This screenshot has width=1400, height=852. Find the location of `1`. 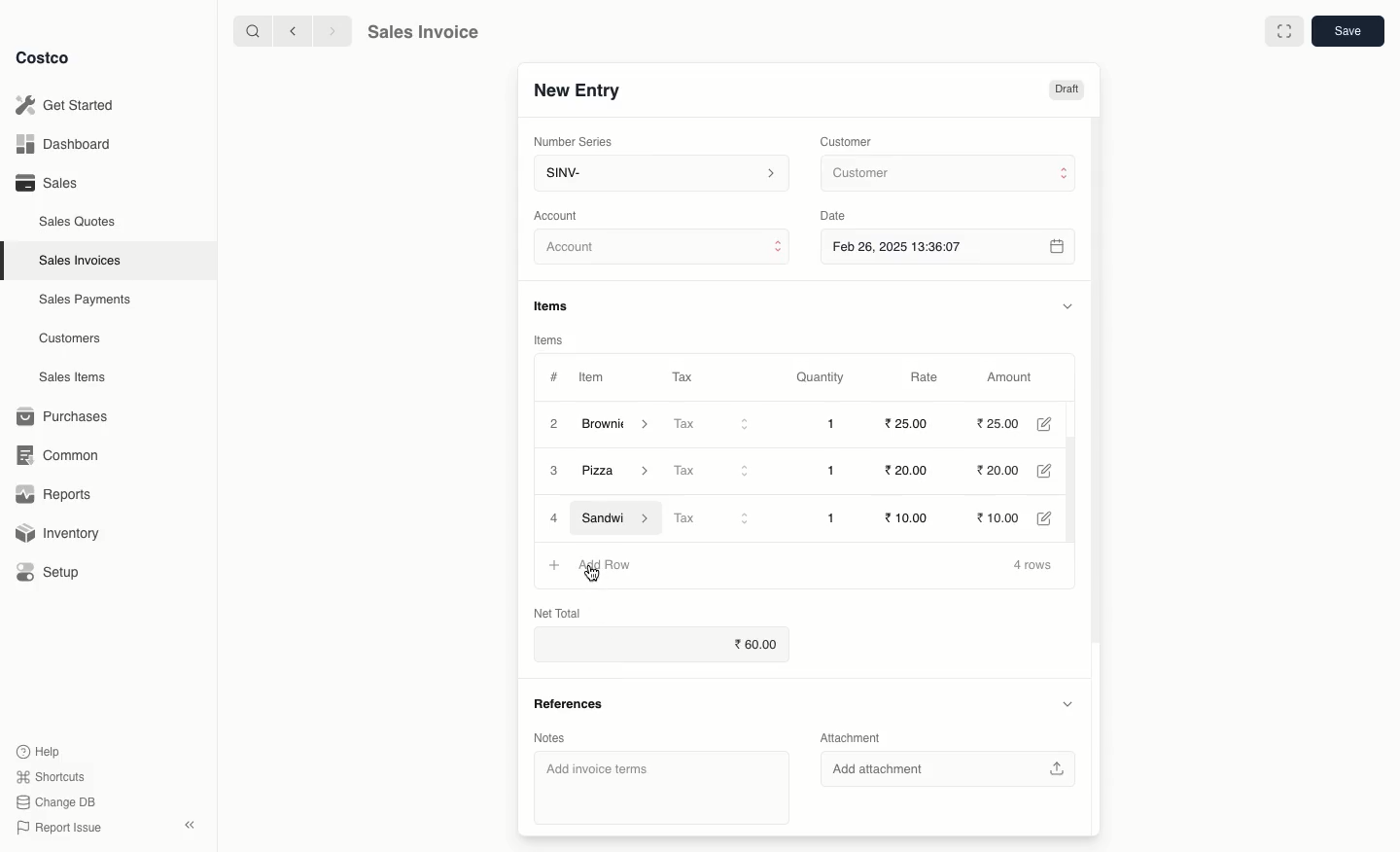

1 is located at coordinates (836, 424).